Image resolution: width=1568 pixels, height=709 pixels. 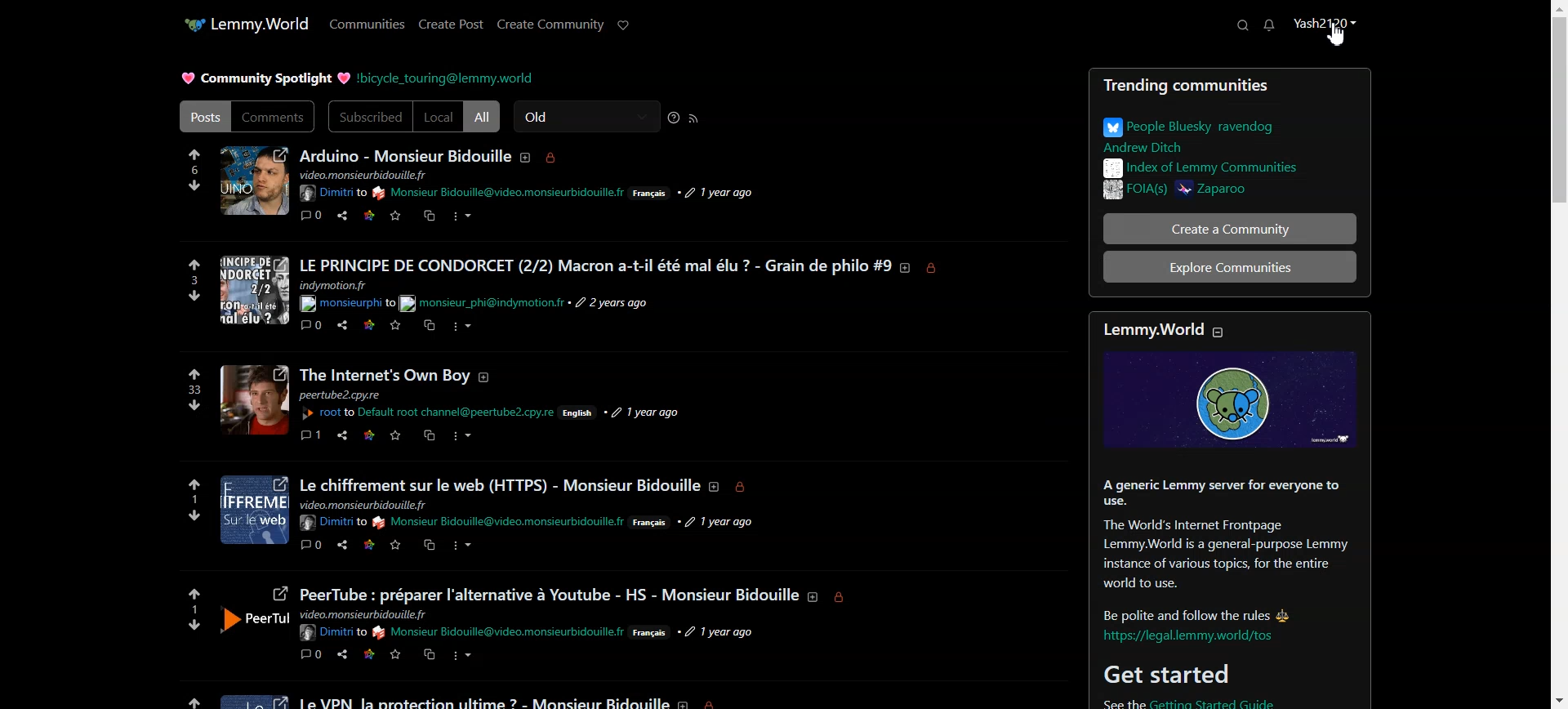 I want to click on downvotes, so click(x=194, y=407).